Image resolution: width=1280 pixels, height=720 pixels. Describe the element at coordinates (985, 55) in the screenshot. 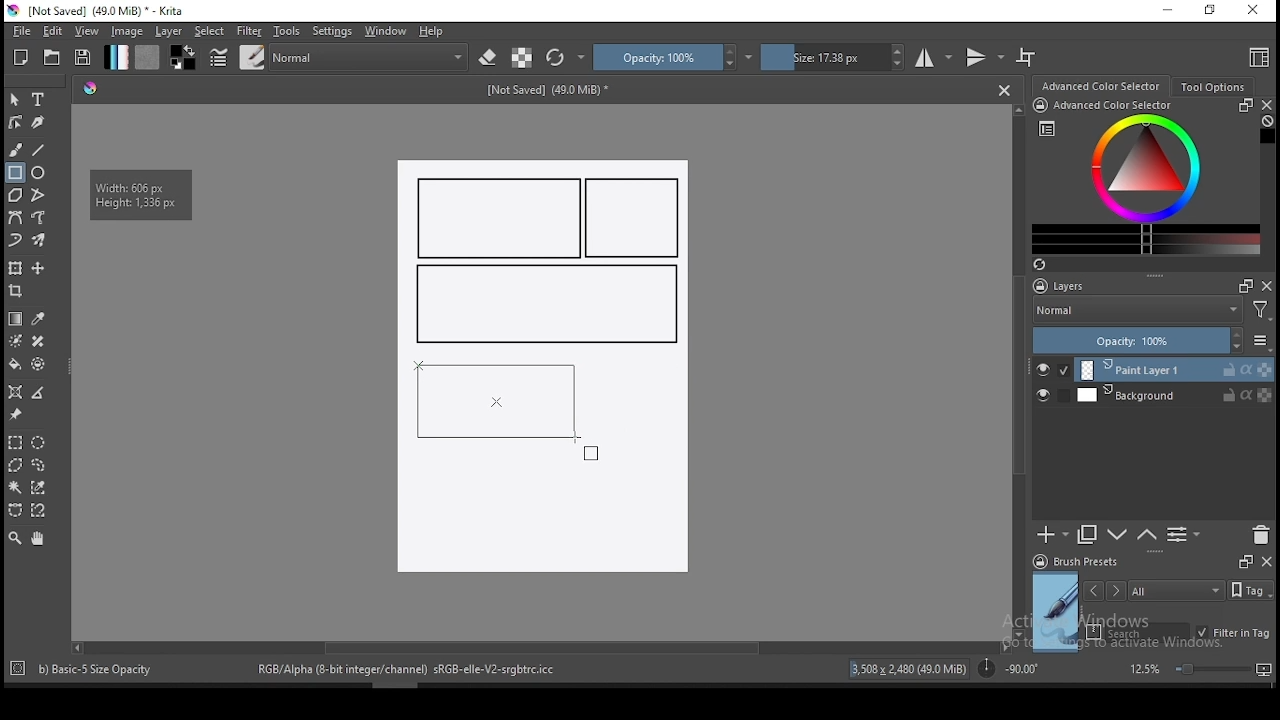

I see `` at that location.